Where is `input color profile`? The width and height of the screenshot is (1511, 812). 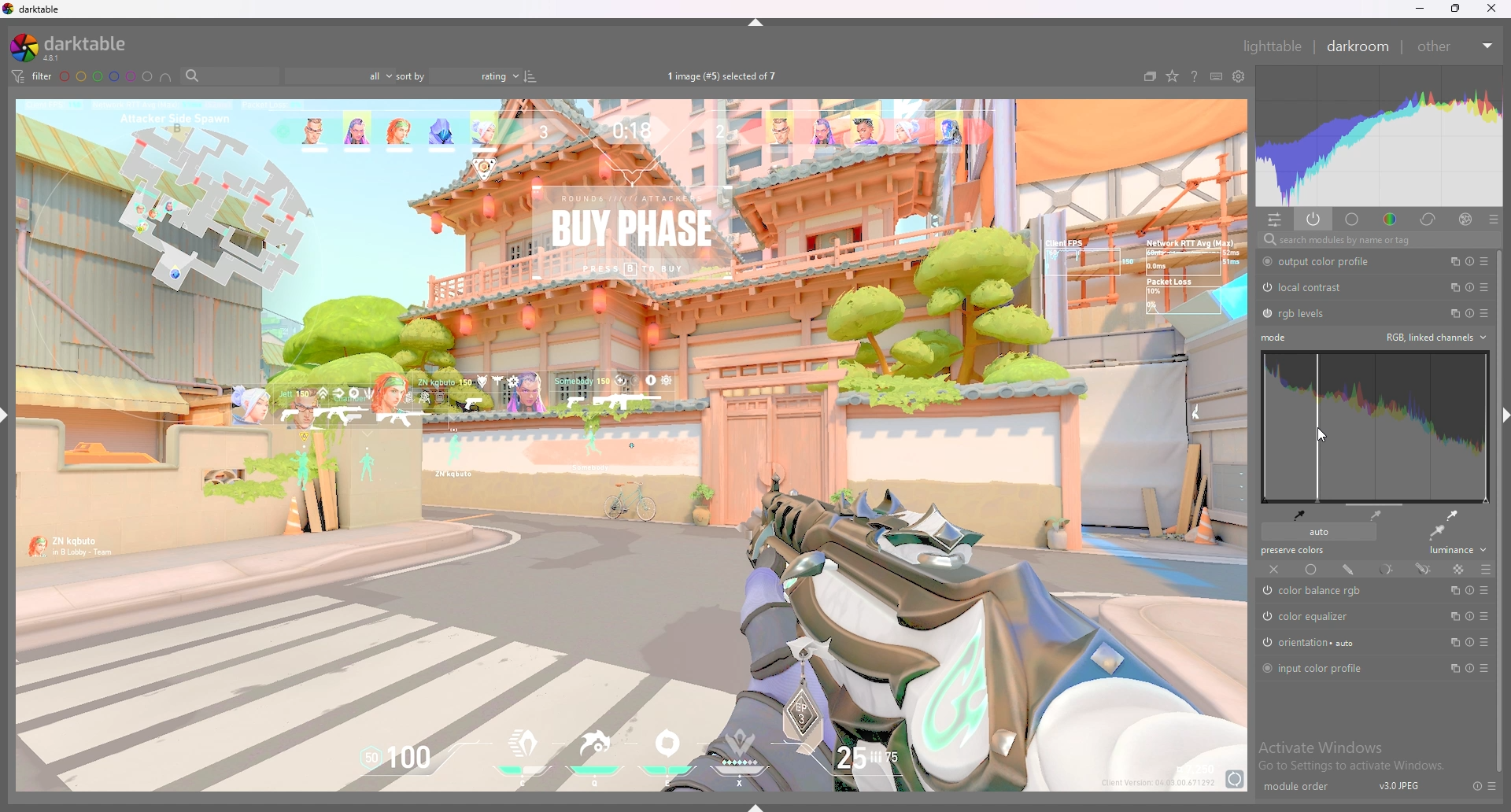 input color profile is located at coordinates (1321, 668).